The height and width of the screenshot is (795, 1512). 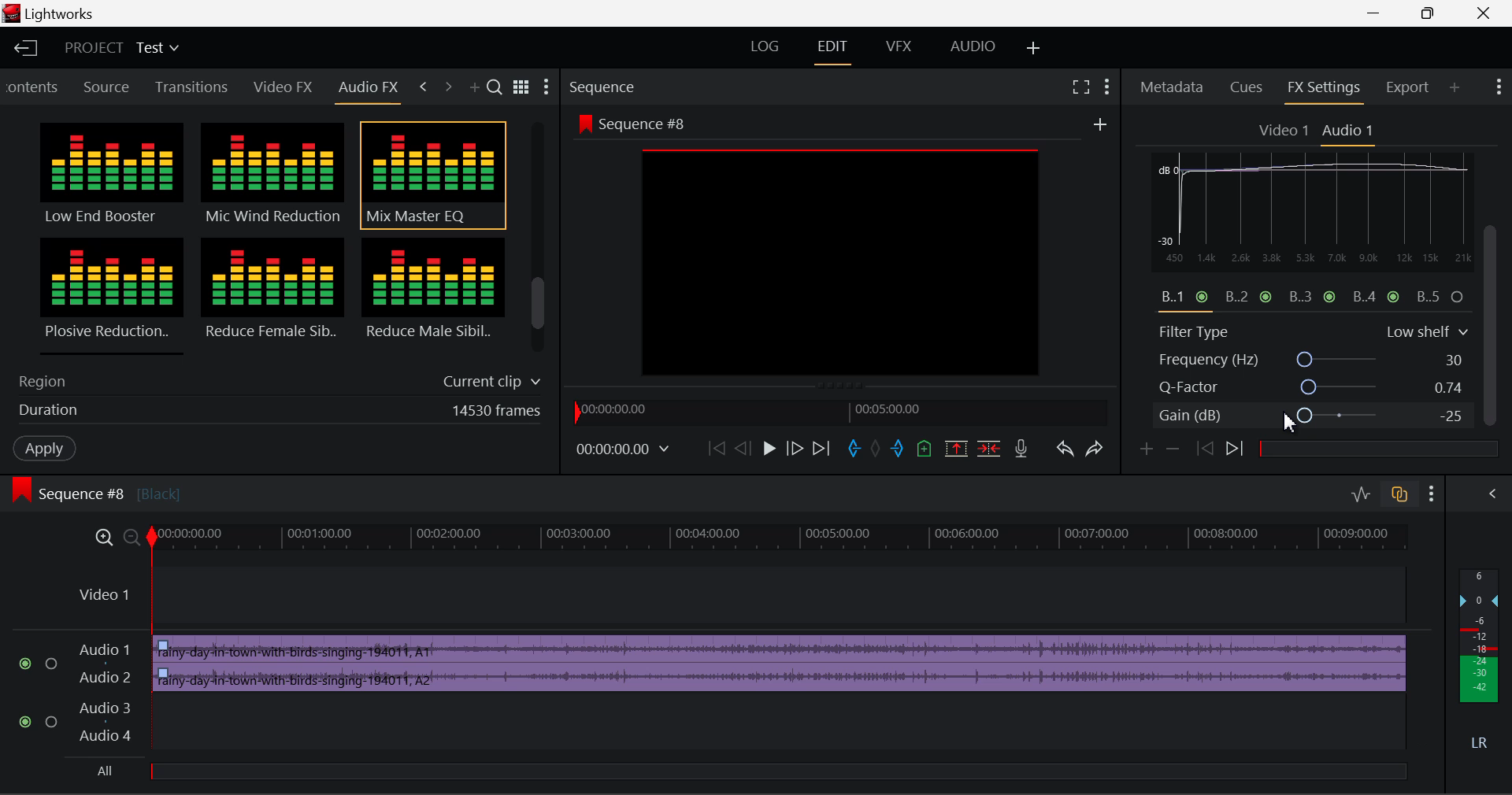 What do you see at coordinates (1476, 13) in the screenshot?
I see `Close` at bounding box center [1476, 13].